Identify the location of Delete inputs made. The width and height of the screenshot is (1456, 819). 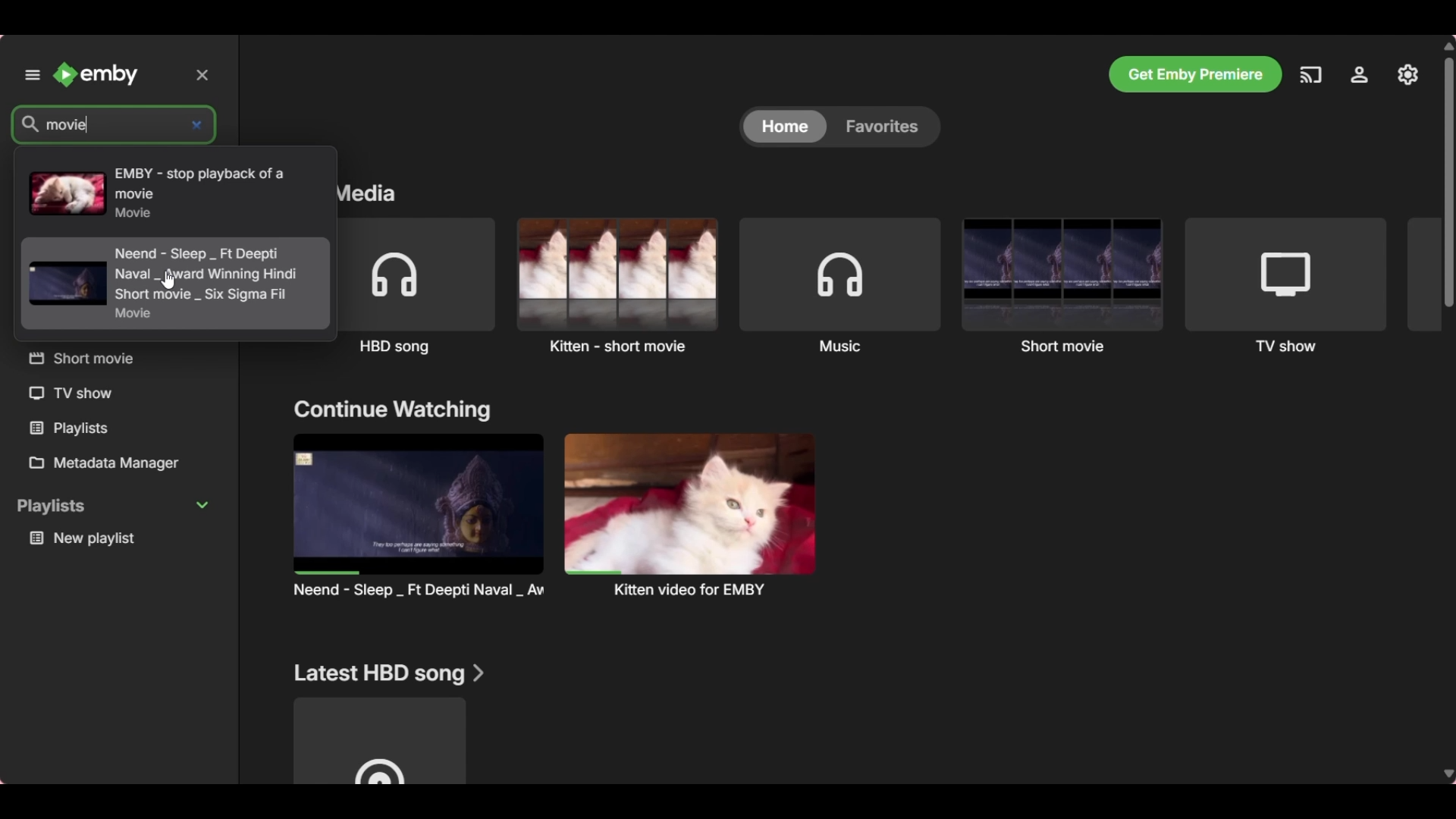
(197, 126).